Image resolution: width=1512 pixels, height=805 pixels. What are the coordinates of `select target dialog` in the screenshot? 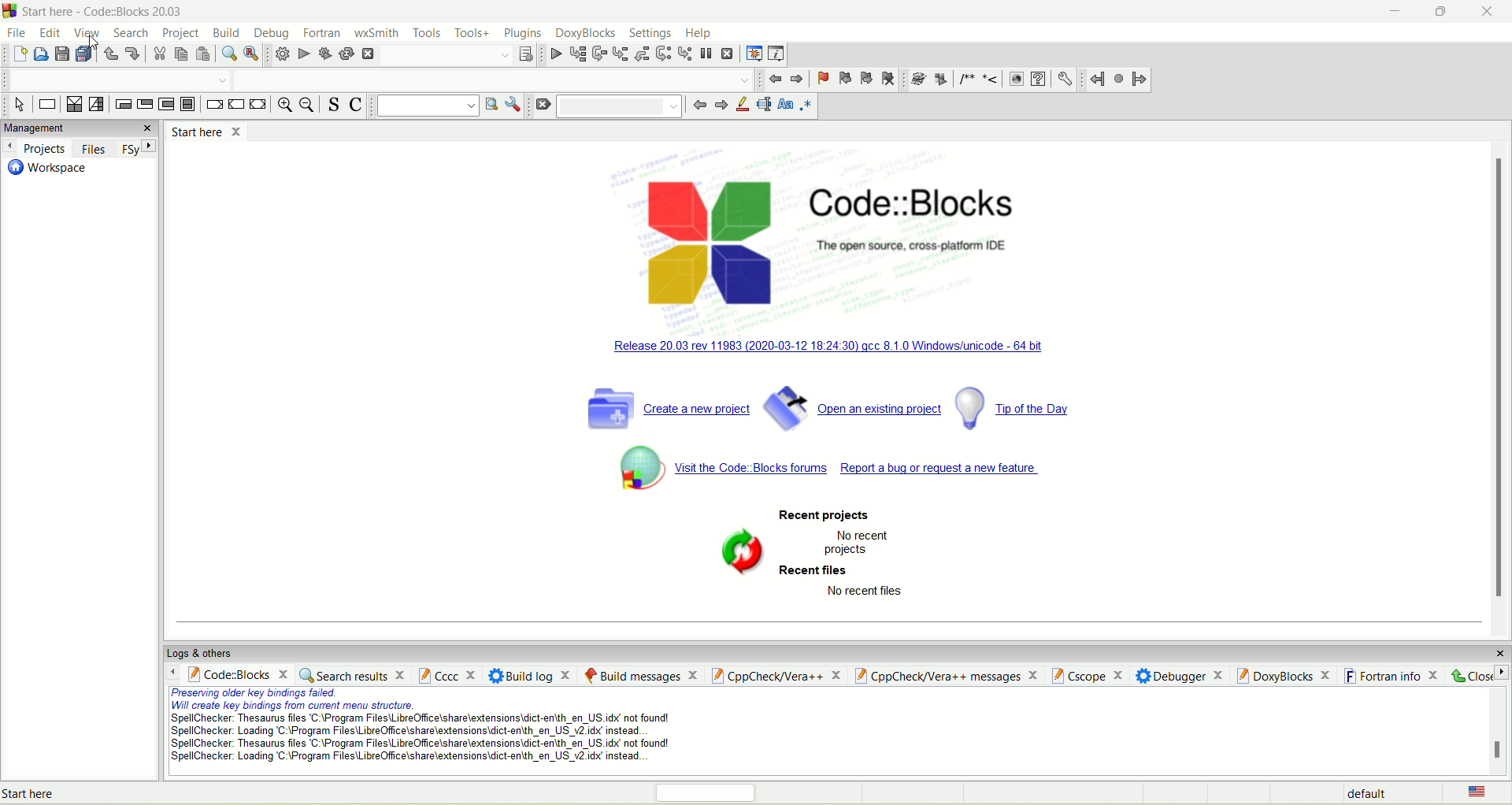 It's located at (525, 54).